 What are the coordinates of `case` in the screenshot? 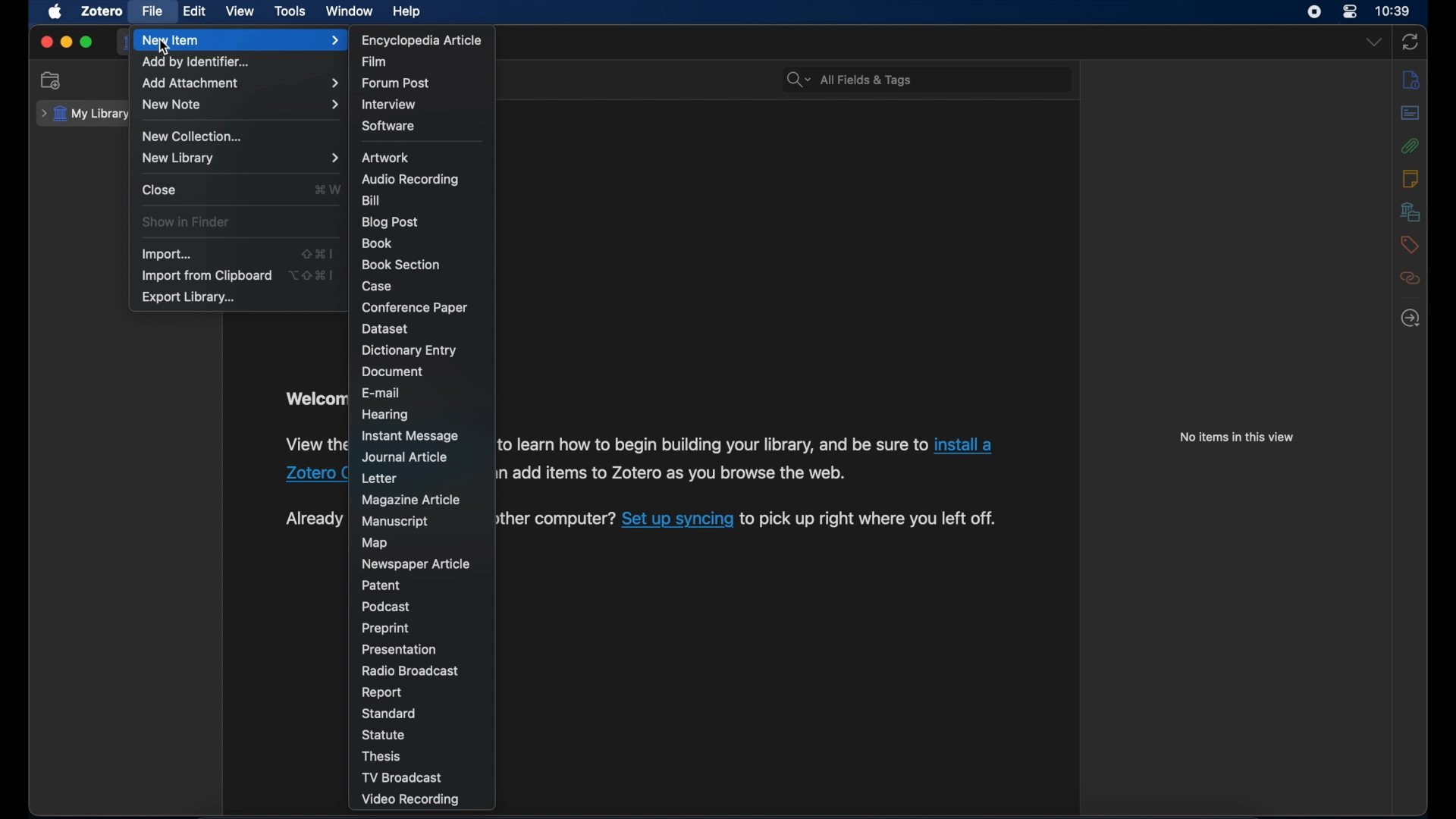 It's located at (377, 287).